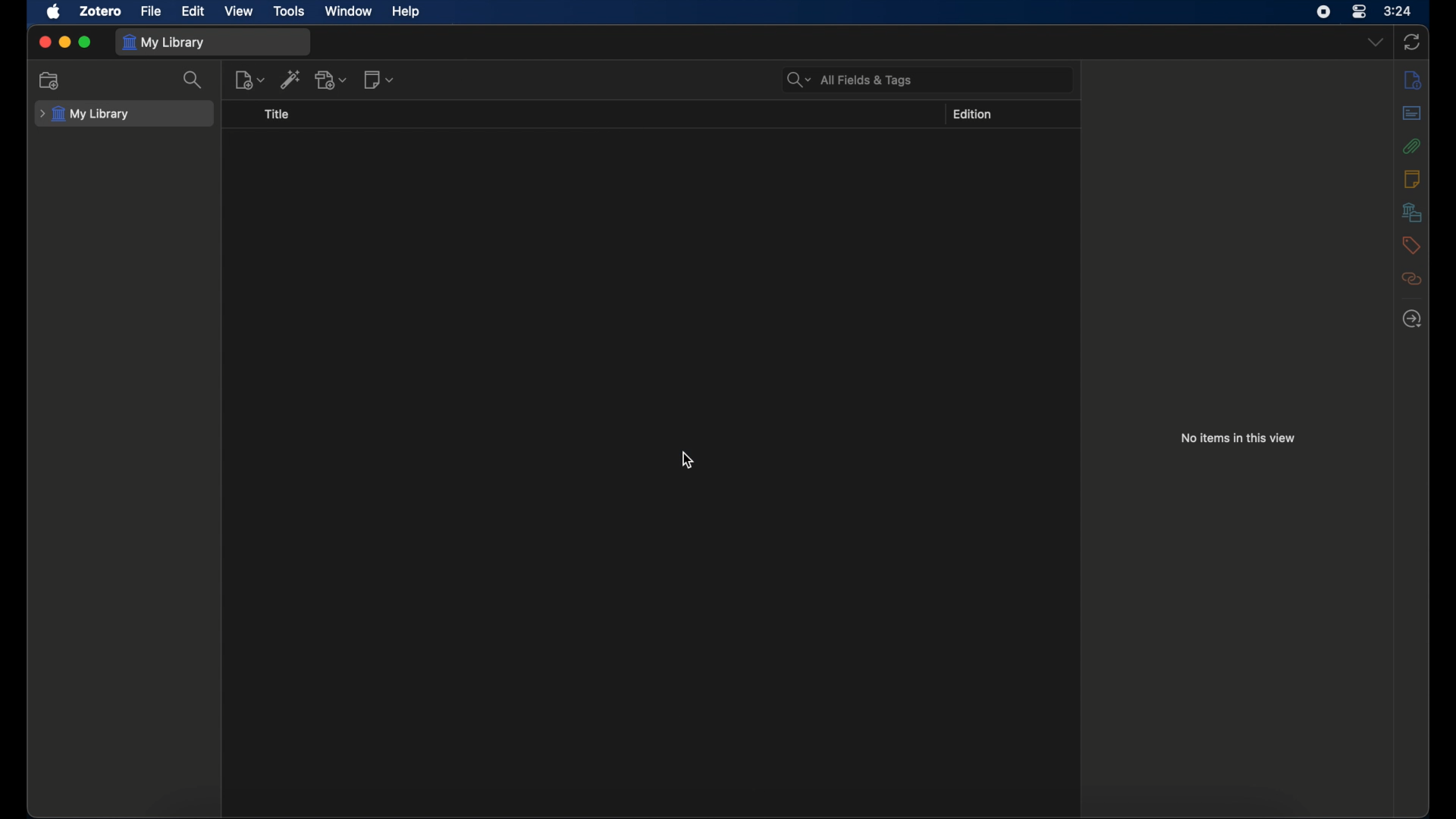 This screenshot has width=1456, height=819. I want to click on sync, so click(1412, 42).